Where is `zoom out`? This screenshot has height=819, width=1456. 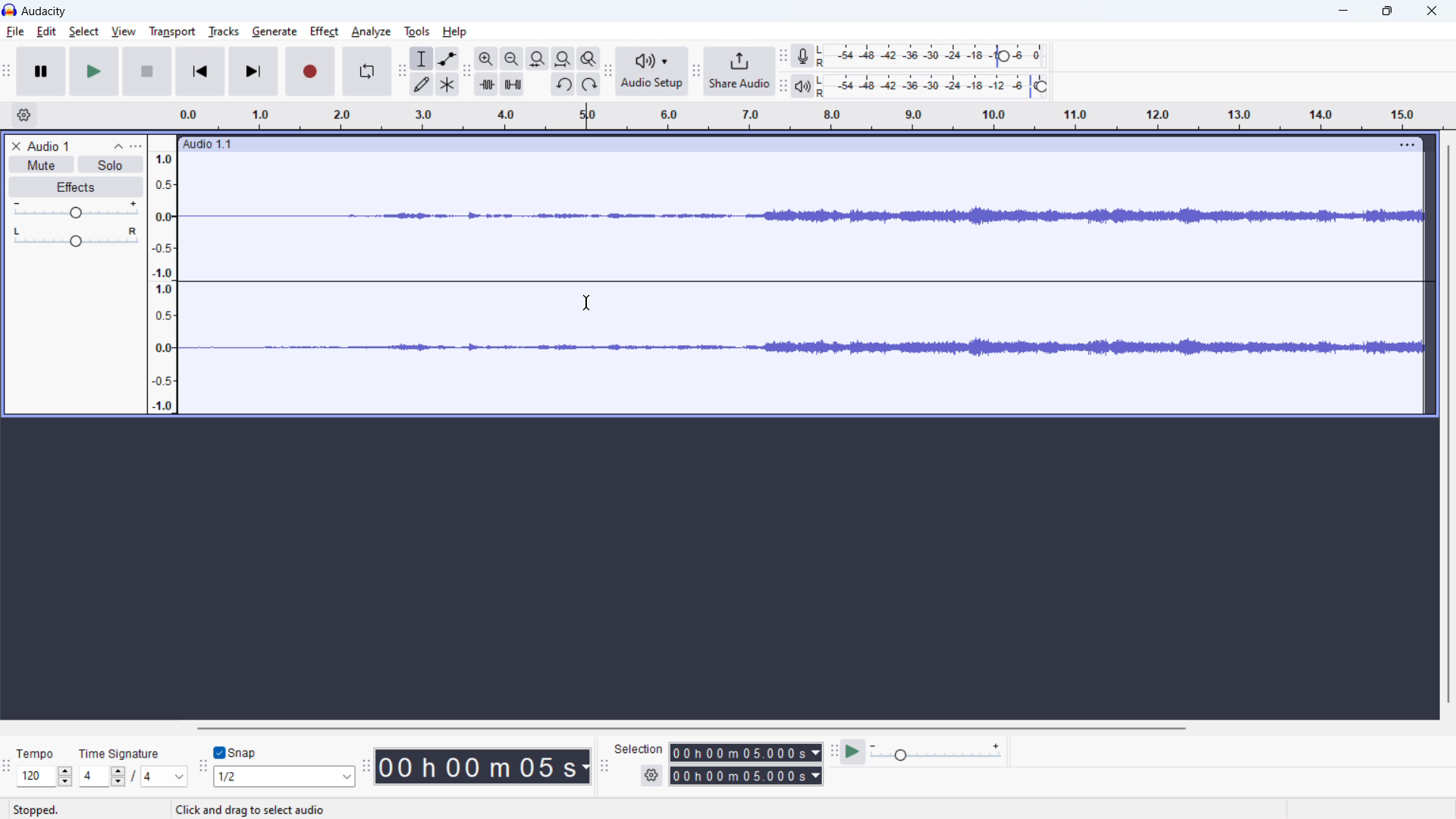 zoom out is located at coordinates (512, 59).